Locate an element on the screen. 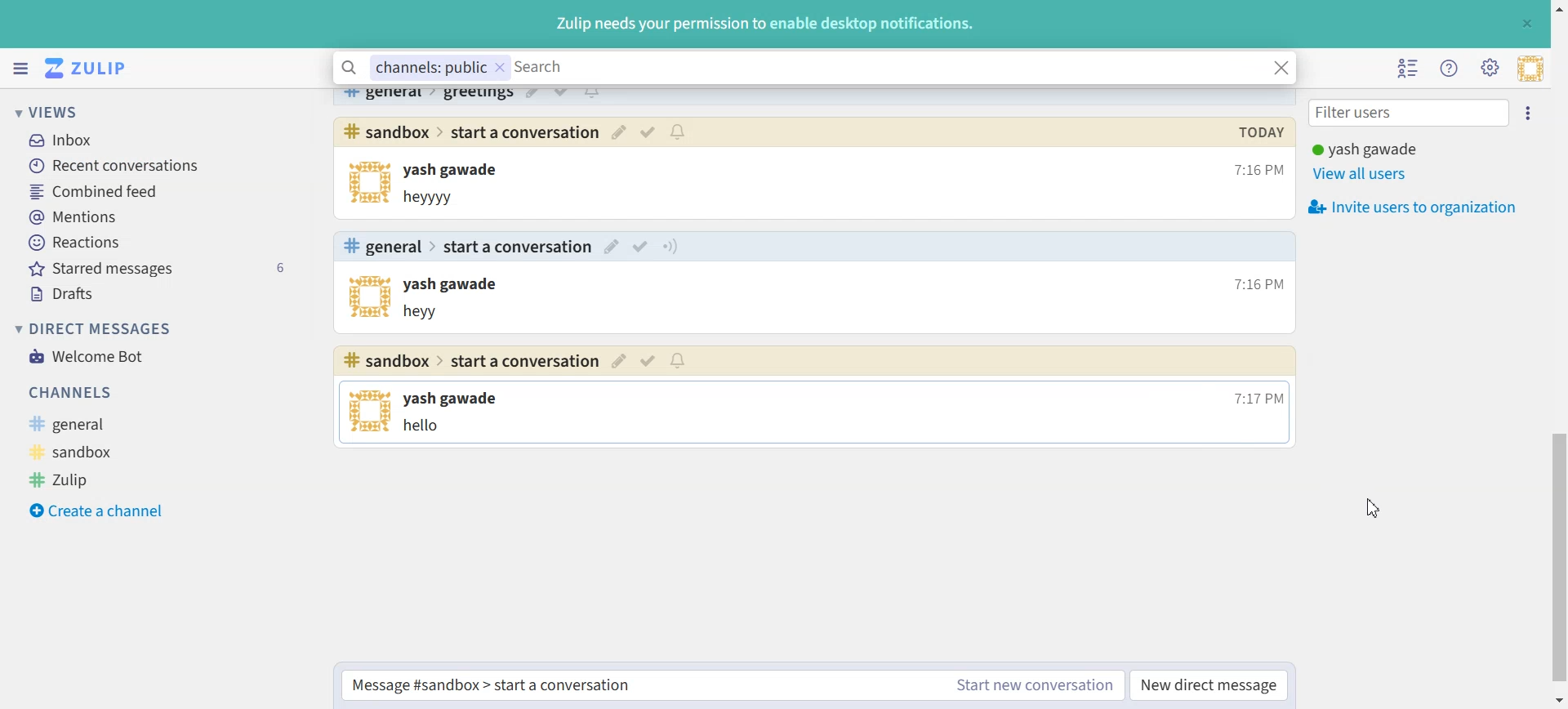 The width and height of the screenshot is (1568, 709). Search is located at coordinates (350, 69).